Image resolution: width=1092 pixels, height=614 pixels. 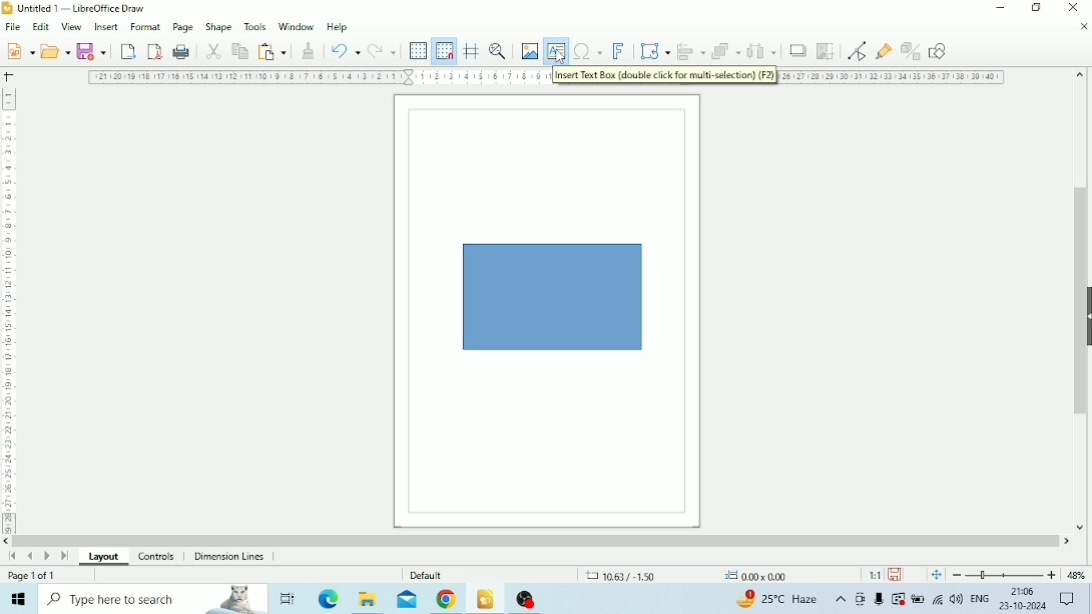 What do you see at coordinates (529, 52) in the screenshot?
I see `Insert Image` at bounding box center [529, 52].